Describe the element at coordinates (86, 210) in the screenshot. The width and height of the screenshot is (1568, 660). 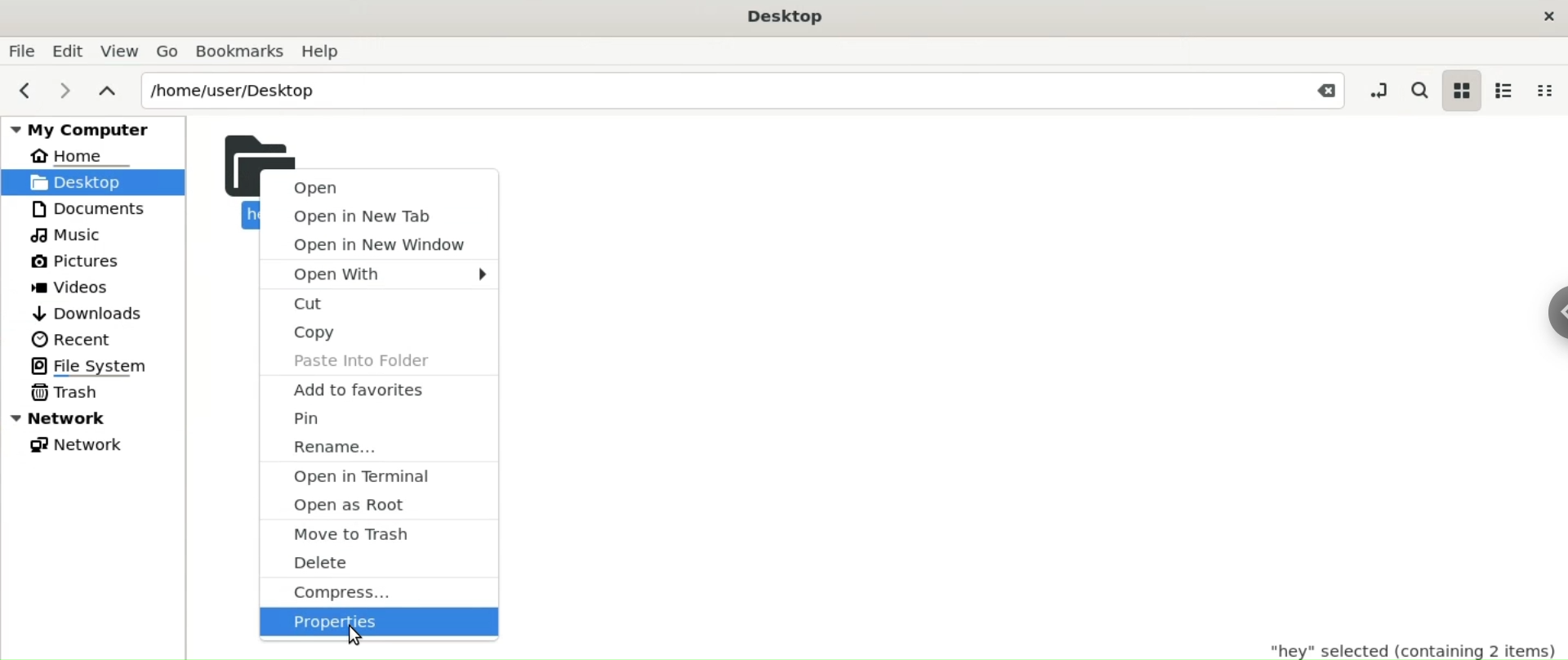
I see `Documents` at that location.